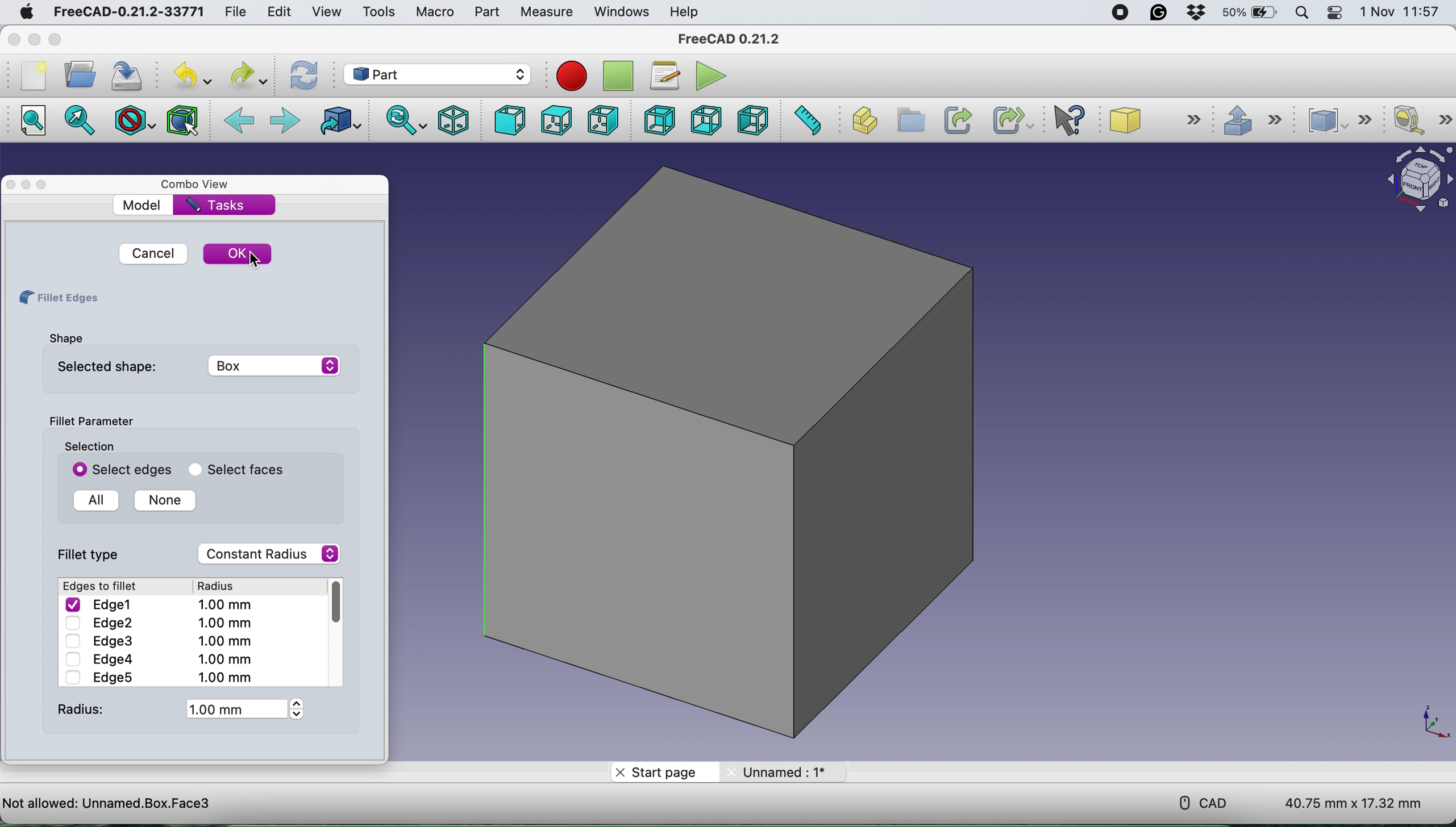 The image size is (1456, 827). What do you see at coordinates (1248, 118) in the screenshot?
I see `extrude` at bounding box center [1248, 118].